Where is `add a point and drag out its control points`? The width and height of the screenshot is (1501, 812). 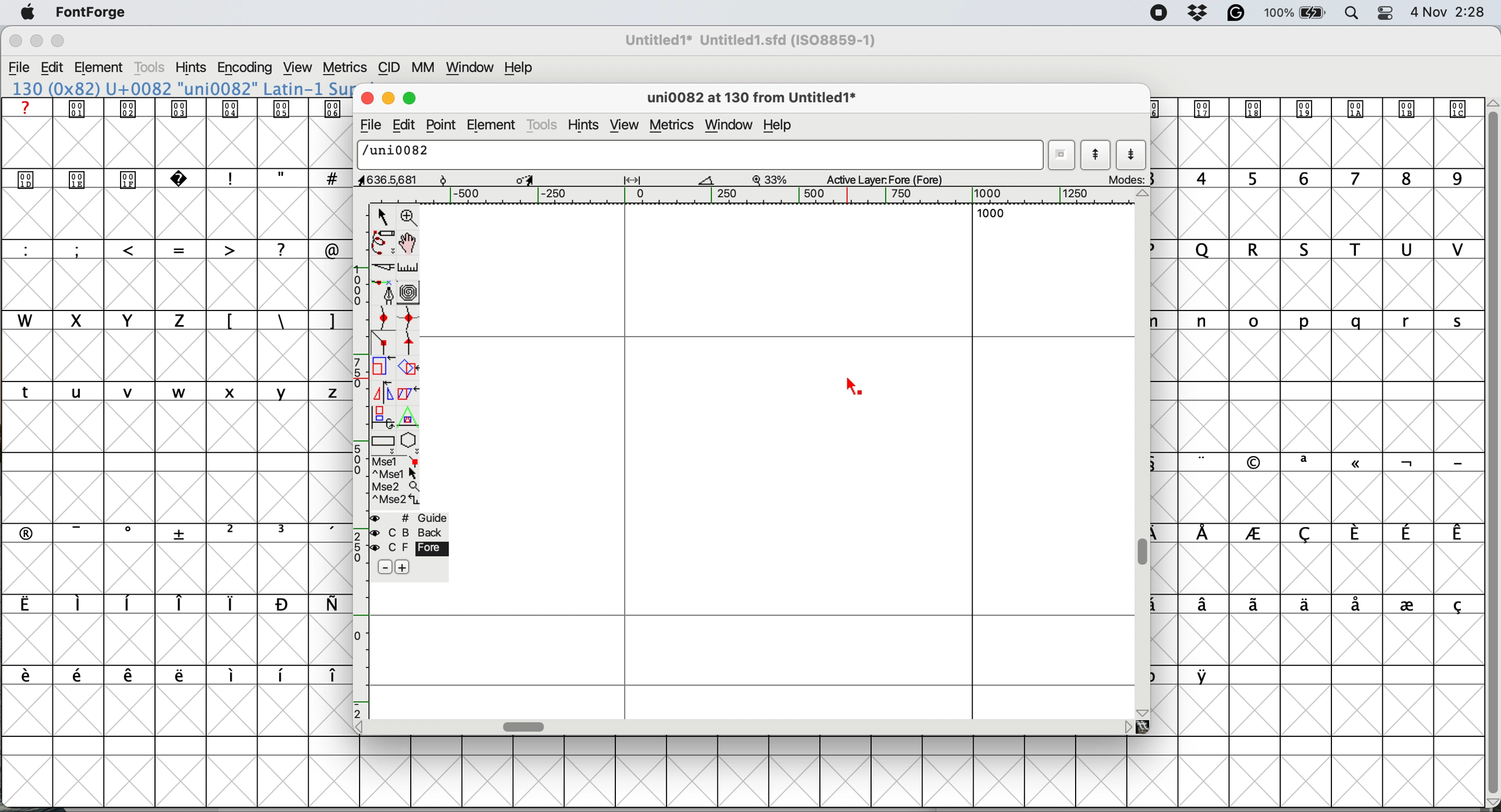
add a point and drag out its control points is located at coordinates (386, 292).